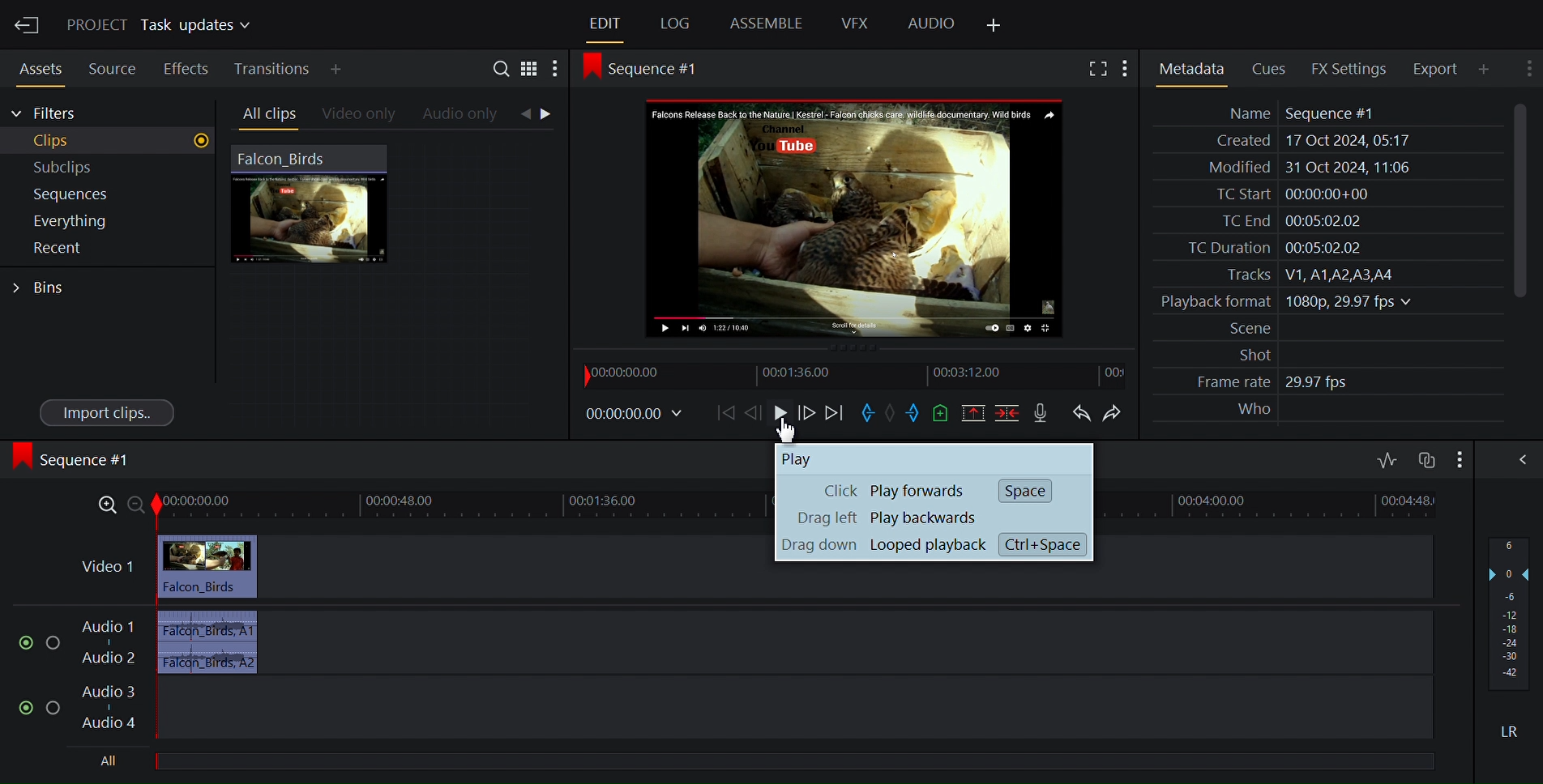 This screenshot has width=1543, height=784. What do you see at coordinates (105, 505) in the screenshot?
I see `Zoom in` at bounding box center [105, 505].